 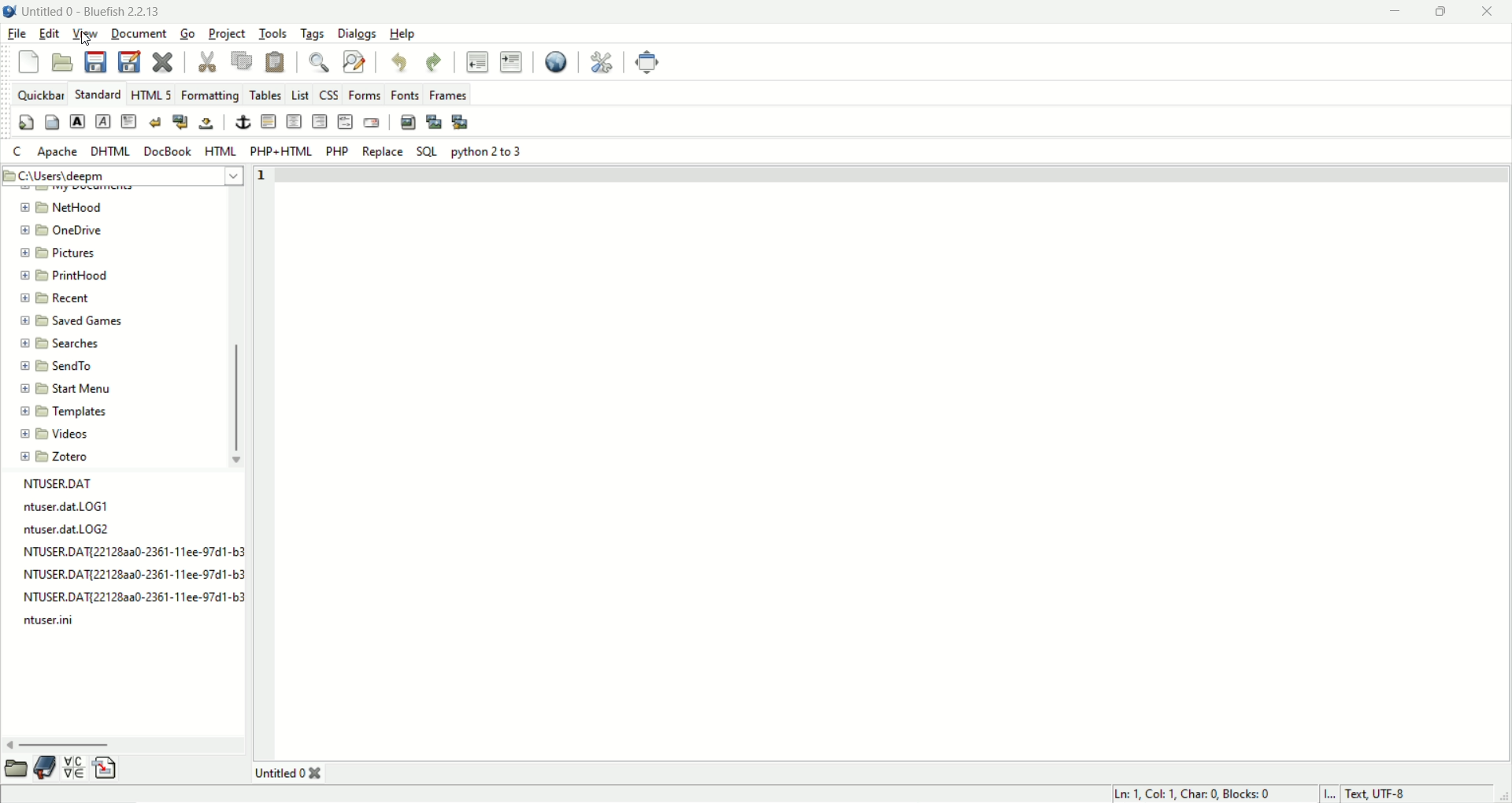 What do you see at coordinates (213, 93) in the screenshot?
I see `formatting` at bounding box center [213, 93].